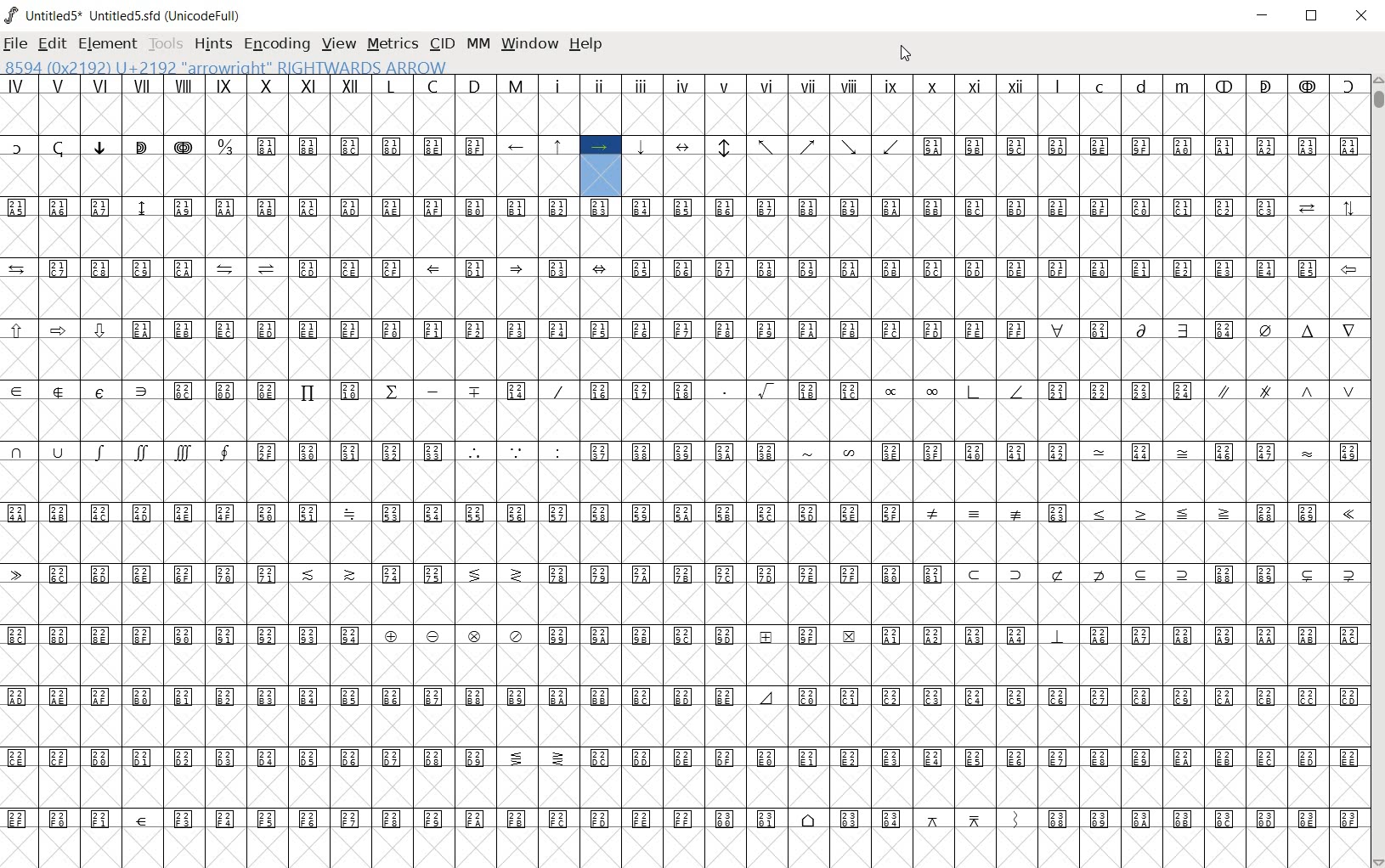 The width and height of the screenshot is (1385, 868). What do you see at coordinates (530, 45) in the screenshot?
I see `WINDOW` at bounding box center [530, 45].